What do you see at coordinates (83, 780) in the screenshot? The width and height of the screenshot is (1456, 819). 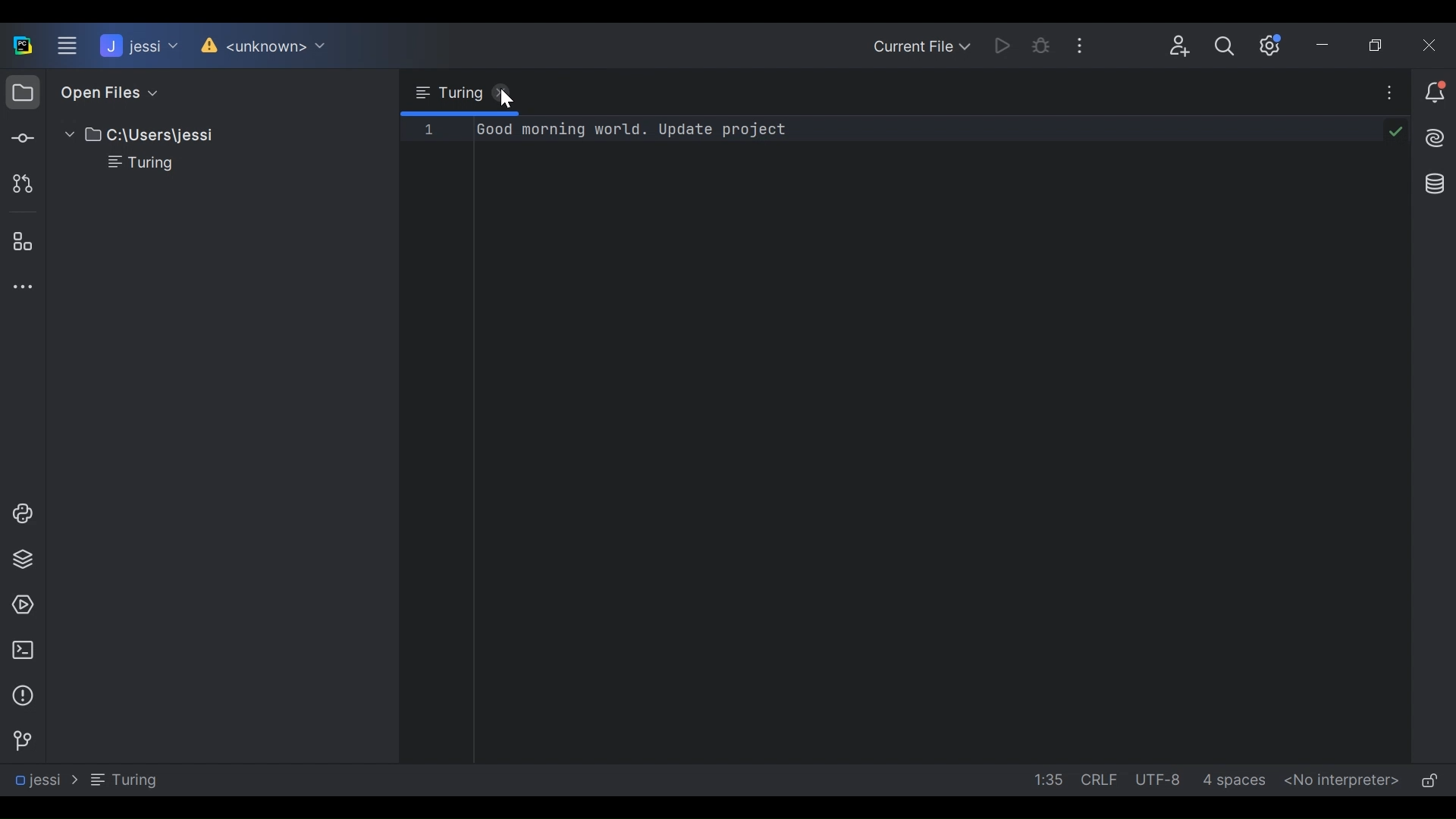 I see `Navigation` at bounding box center [83, 780].